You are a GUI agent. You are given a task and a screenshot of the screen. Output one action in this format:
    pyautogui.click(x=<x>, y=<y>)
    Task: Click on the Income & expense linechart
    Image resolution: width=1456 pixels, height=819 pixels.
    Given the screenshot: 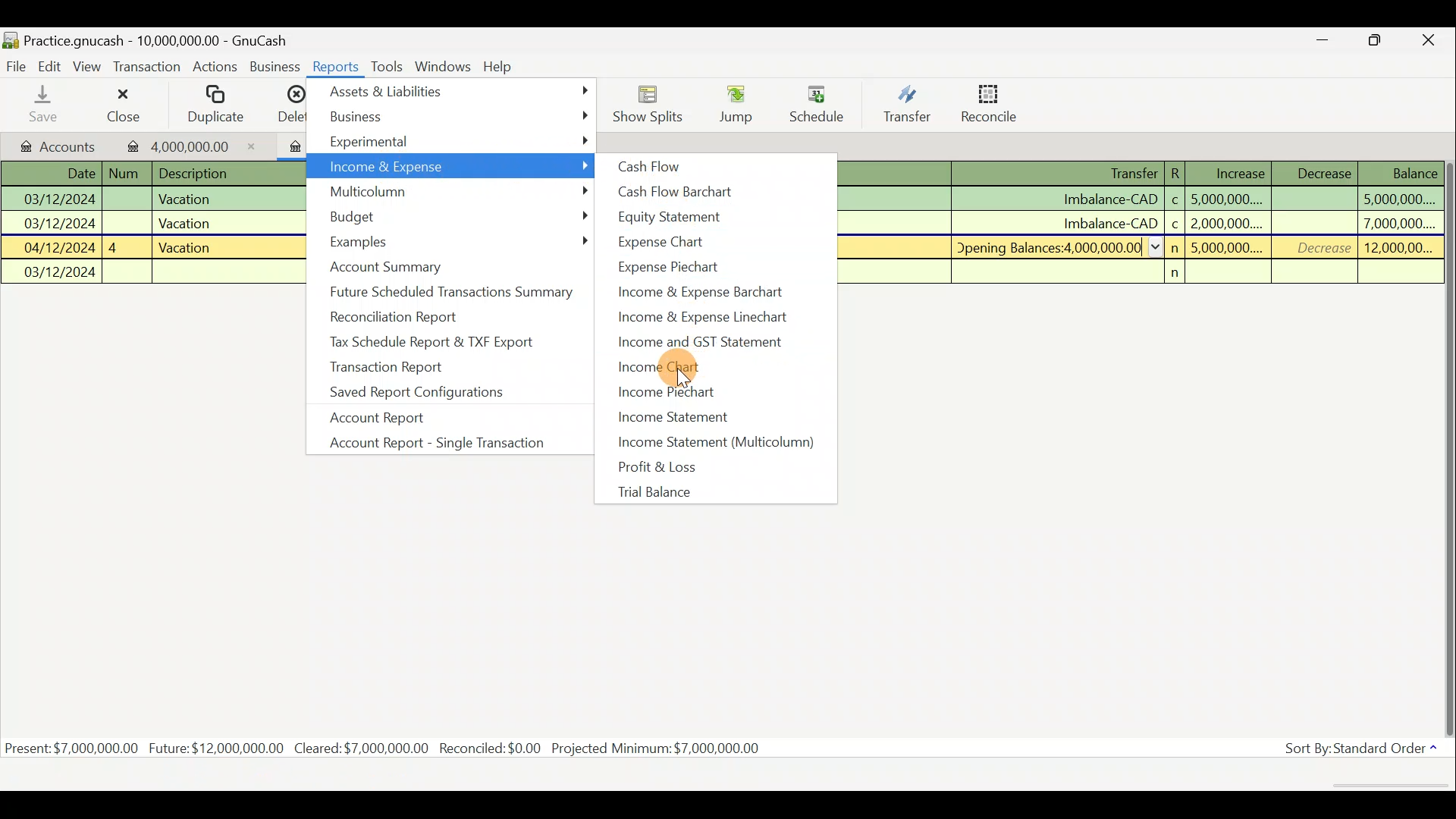 What is the action you would take?
    pyautogui.click(x=721, y=315)
    